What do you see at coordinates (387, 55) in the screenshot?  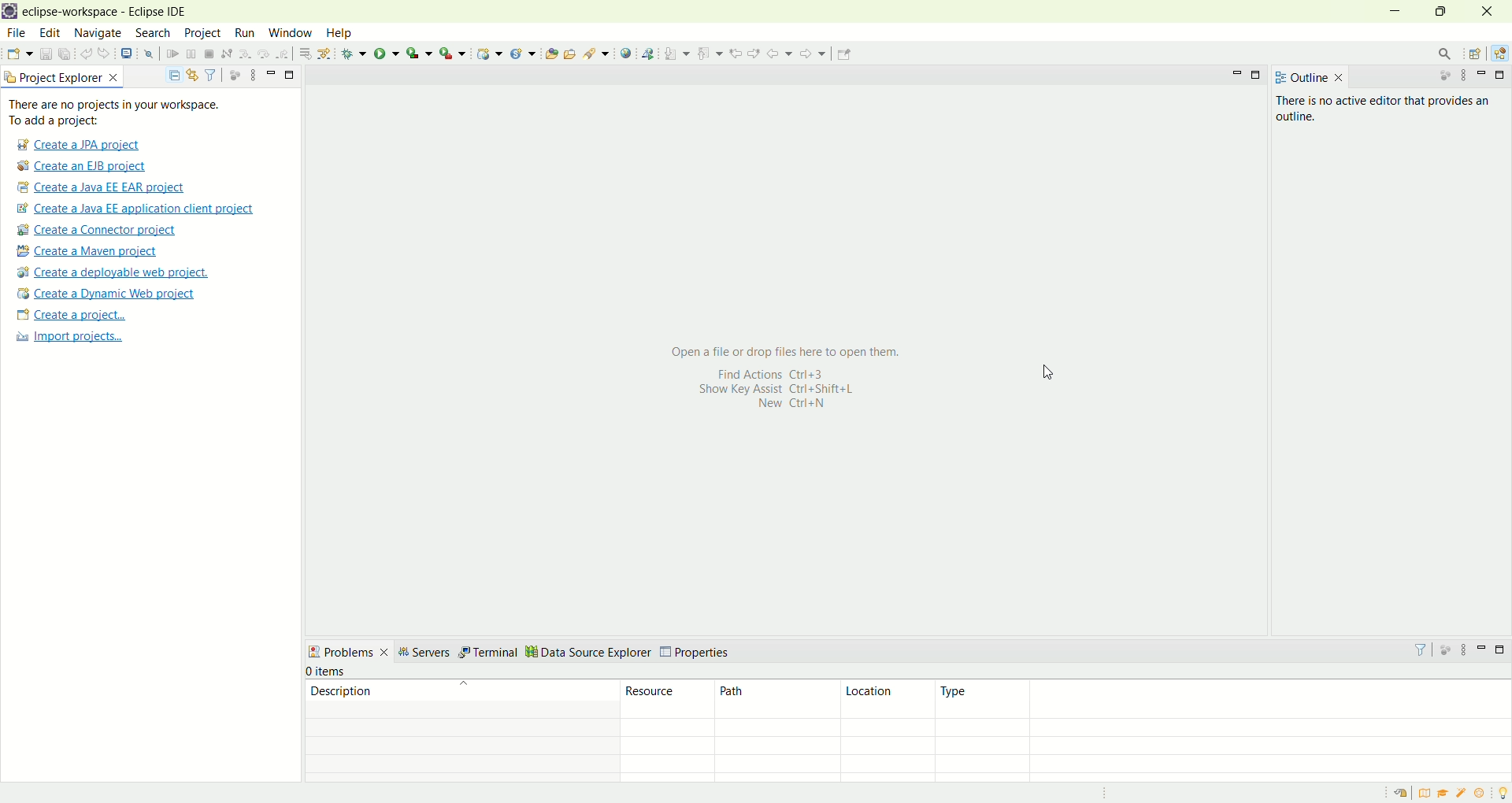 I see `run` at bounding box center [387, 55].